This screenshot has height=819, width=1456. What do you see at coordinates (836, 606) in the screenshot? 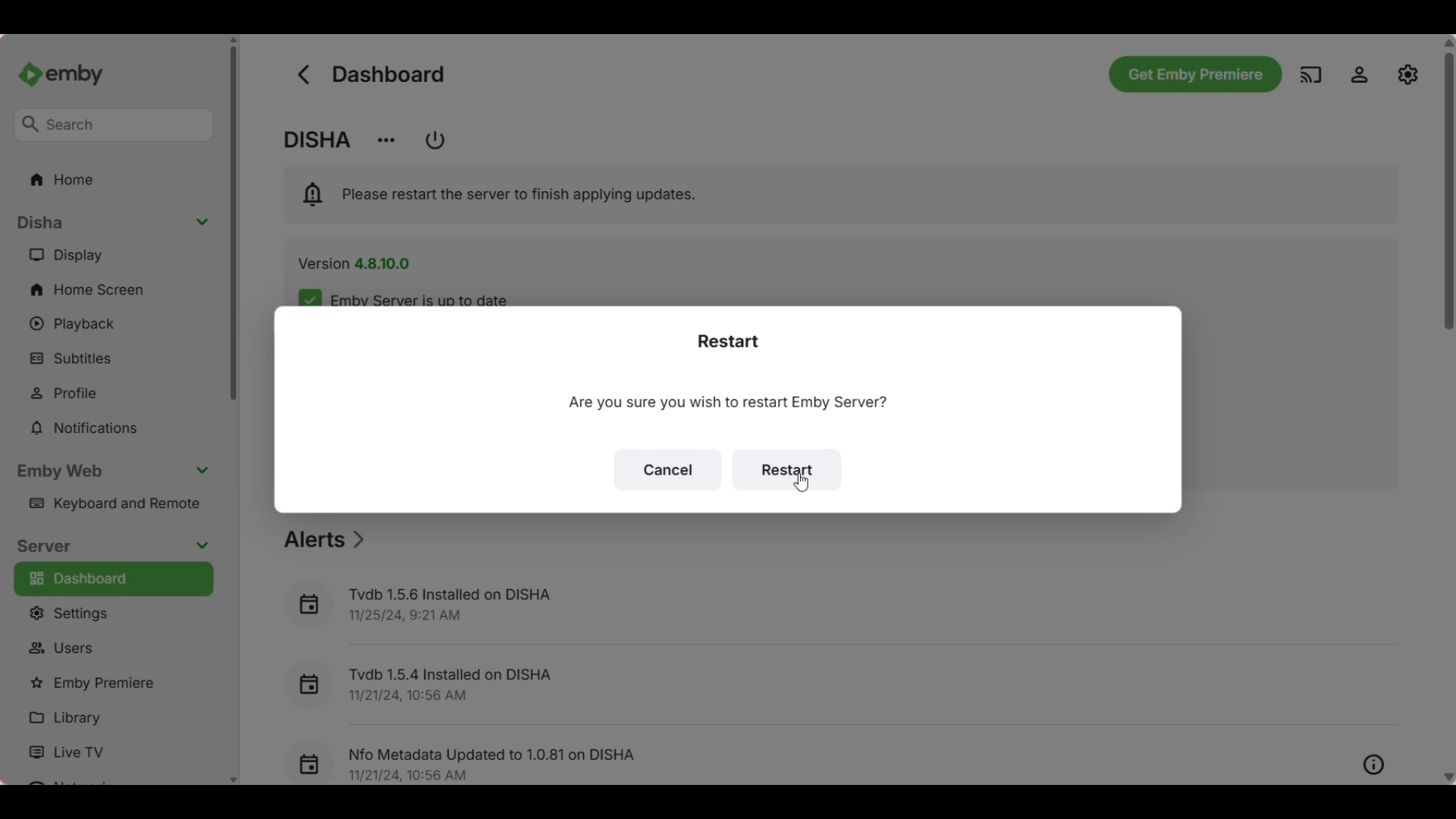
I see `Recent alert` at bounding box center [836, 606].